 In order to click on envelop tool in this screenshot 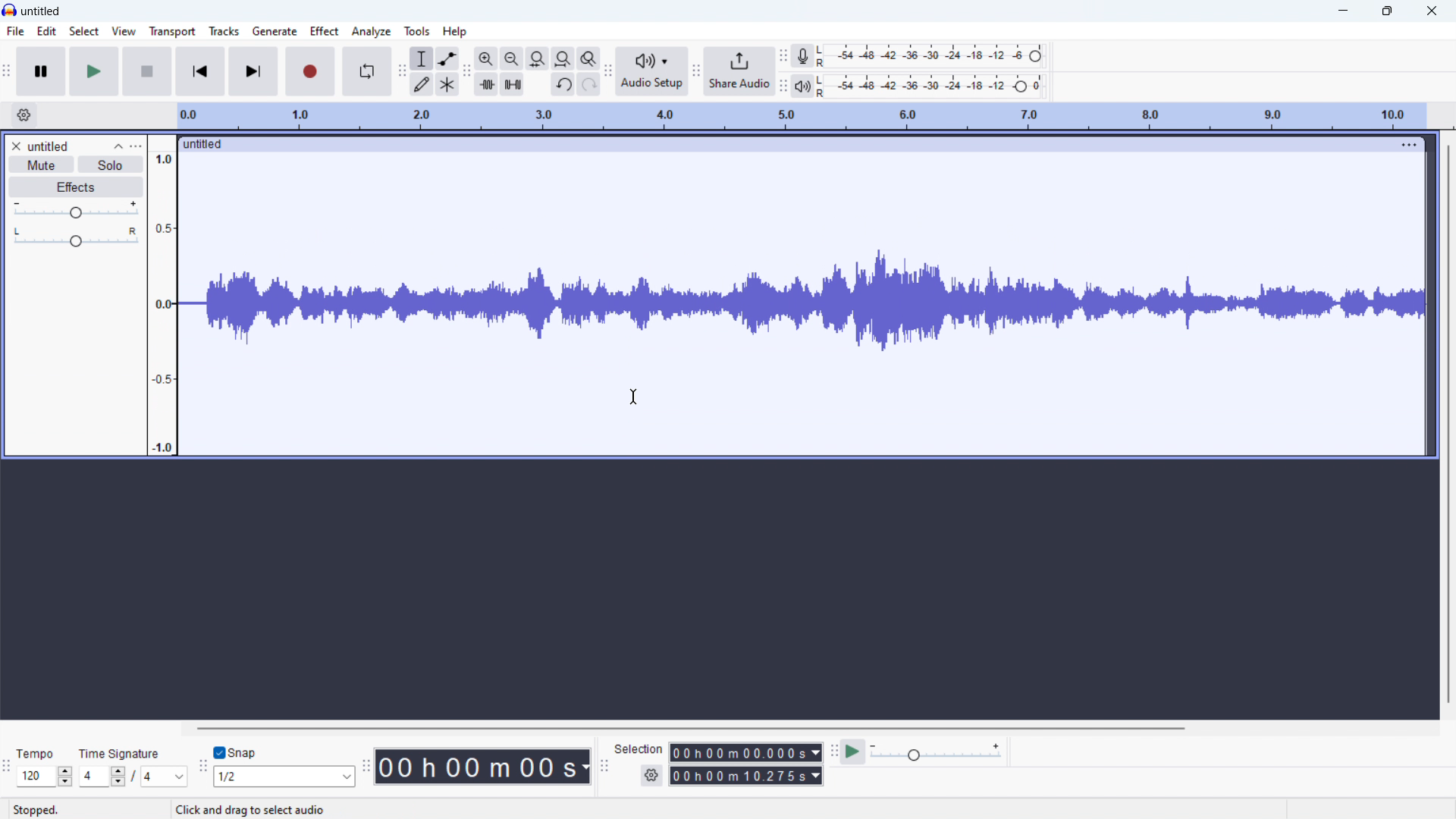, I will do `click(447, 58)`.